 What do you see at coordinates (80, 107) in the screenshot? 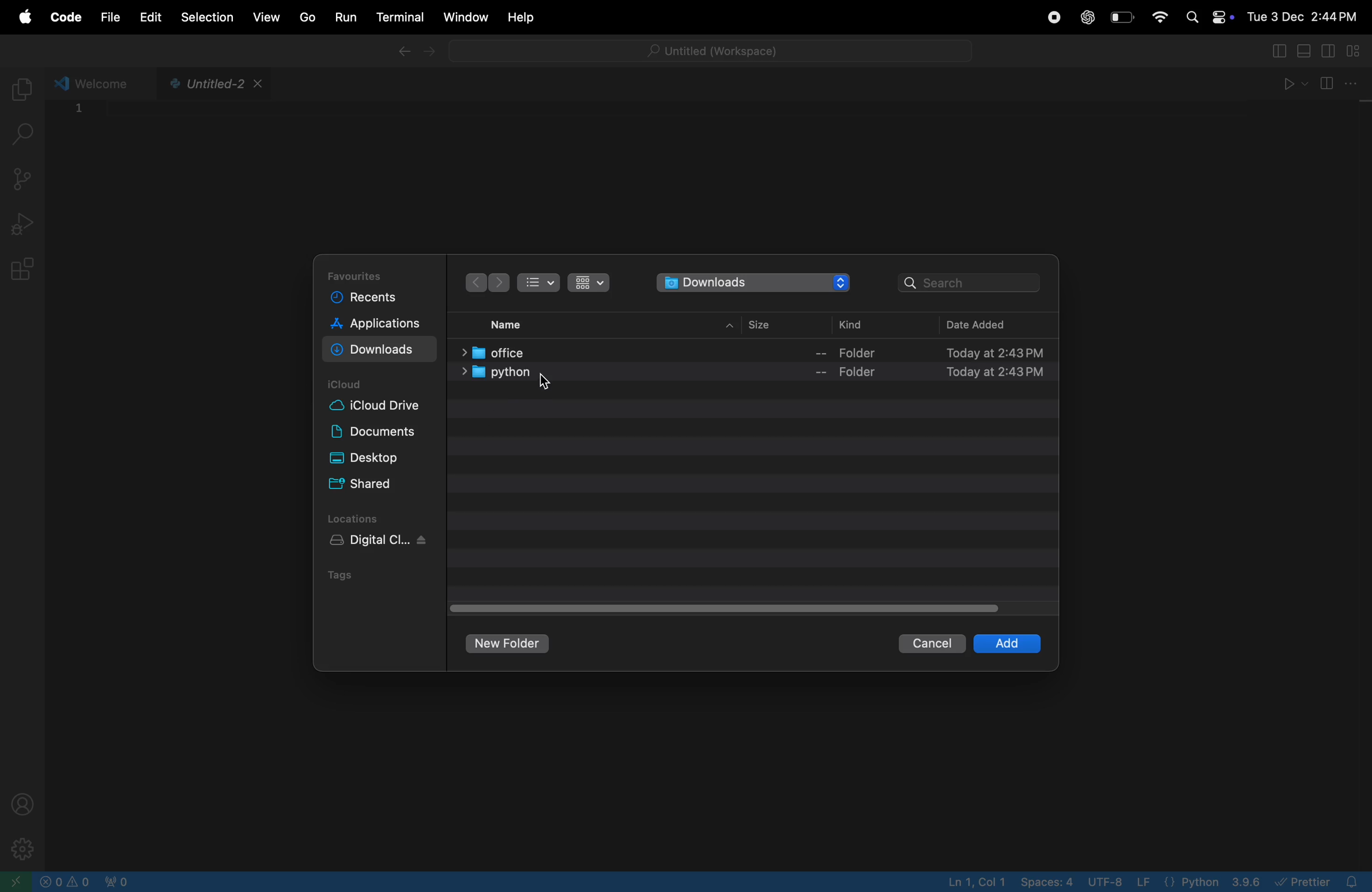
I see `1` at bounding box center [80, 107].